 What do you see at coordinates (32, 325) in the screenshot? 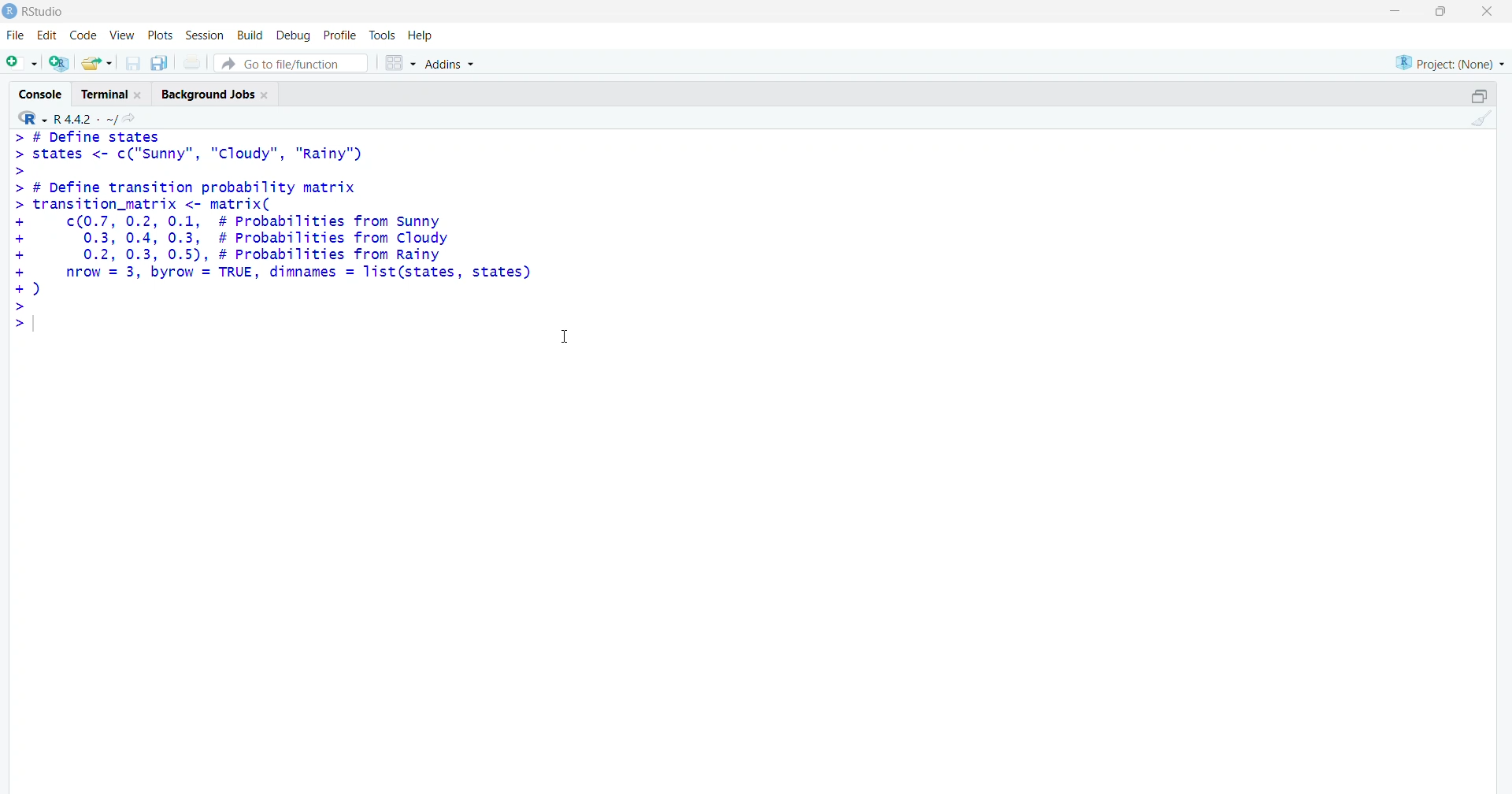
I see `text cursor` at bounding box center [32, 325].